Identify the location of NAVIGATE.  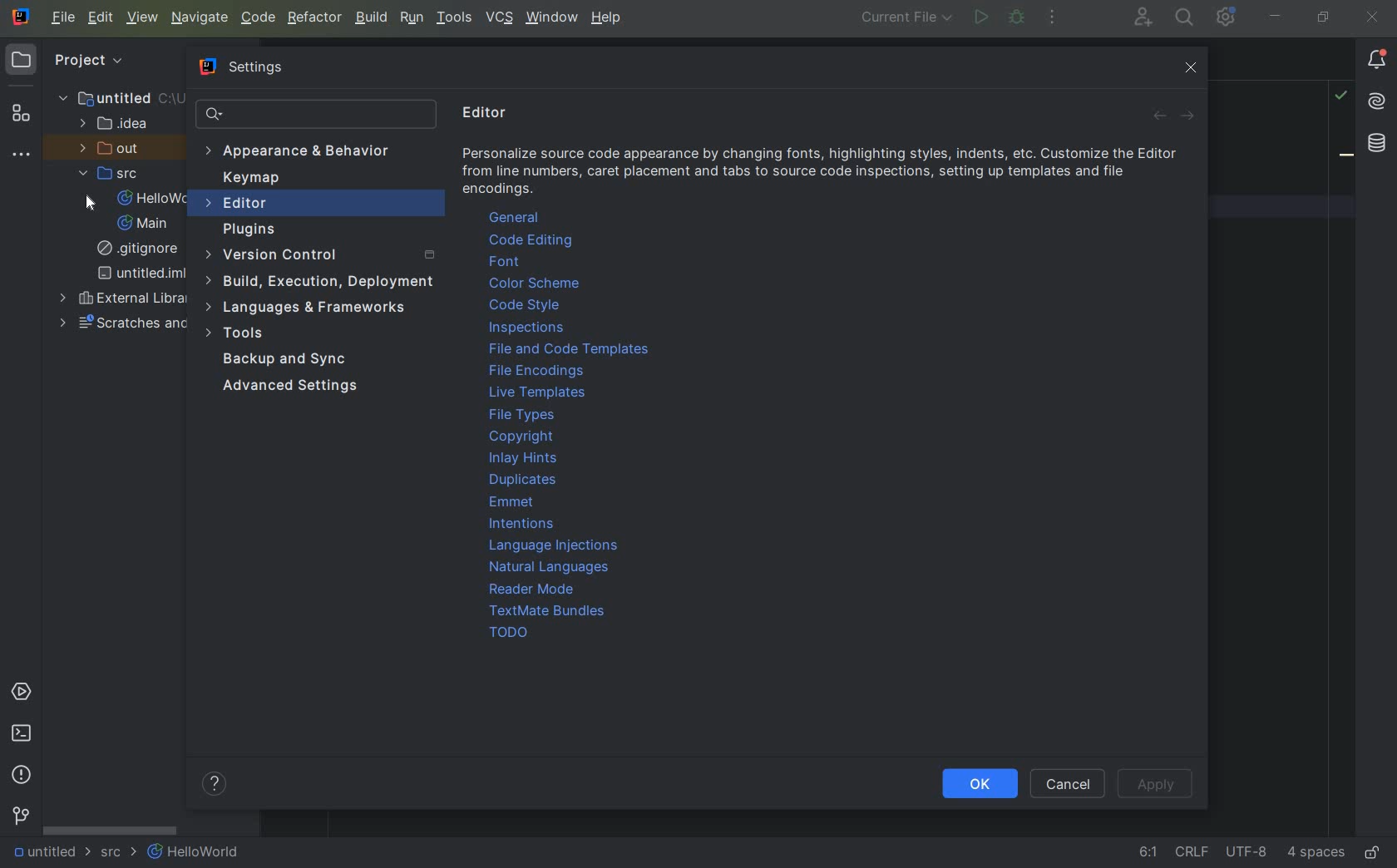
(199, 17).